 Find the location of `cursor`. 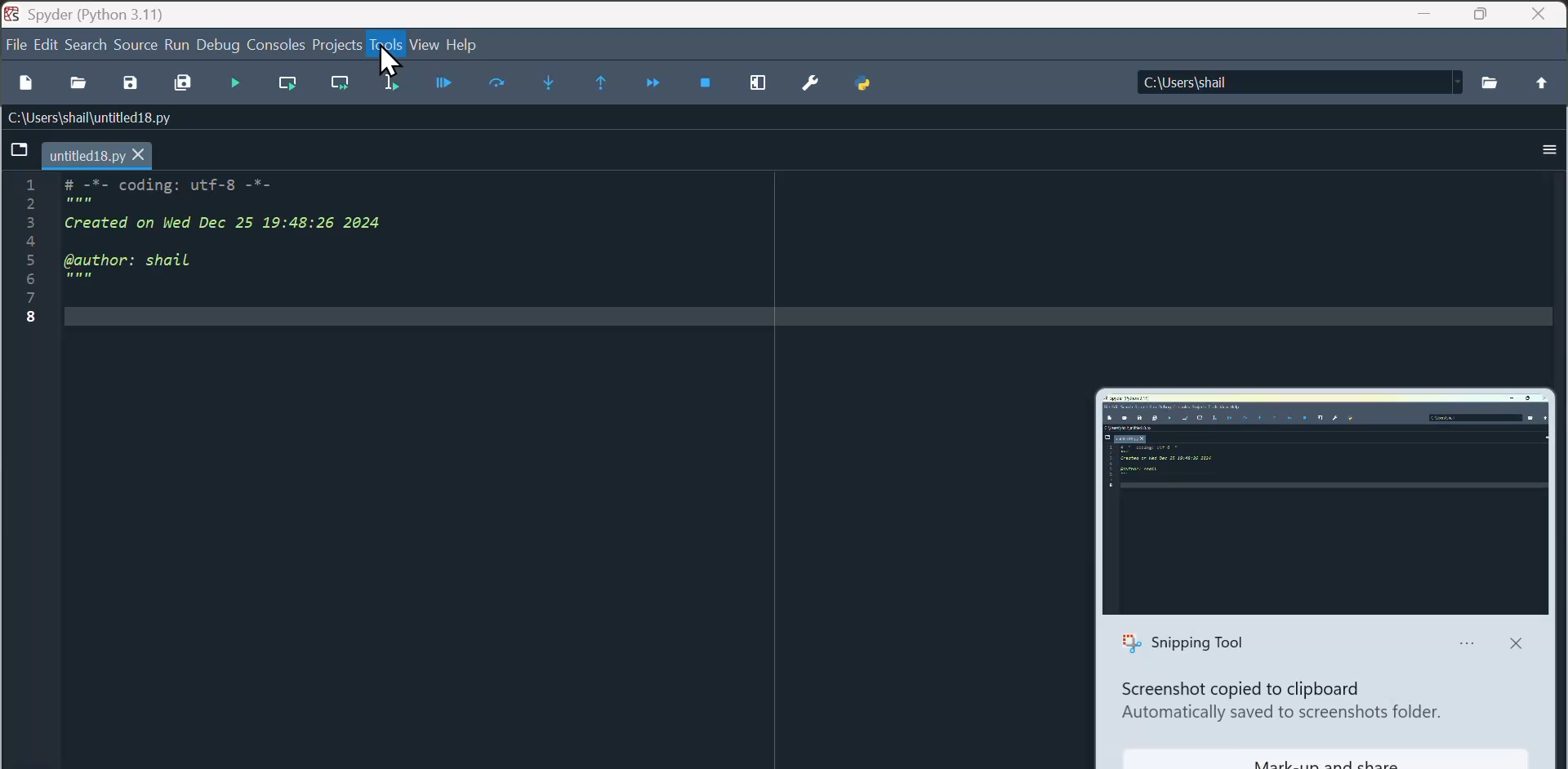

cursor is located at coordinates (387, 64).